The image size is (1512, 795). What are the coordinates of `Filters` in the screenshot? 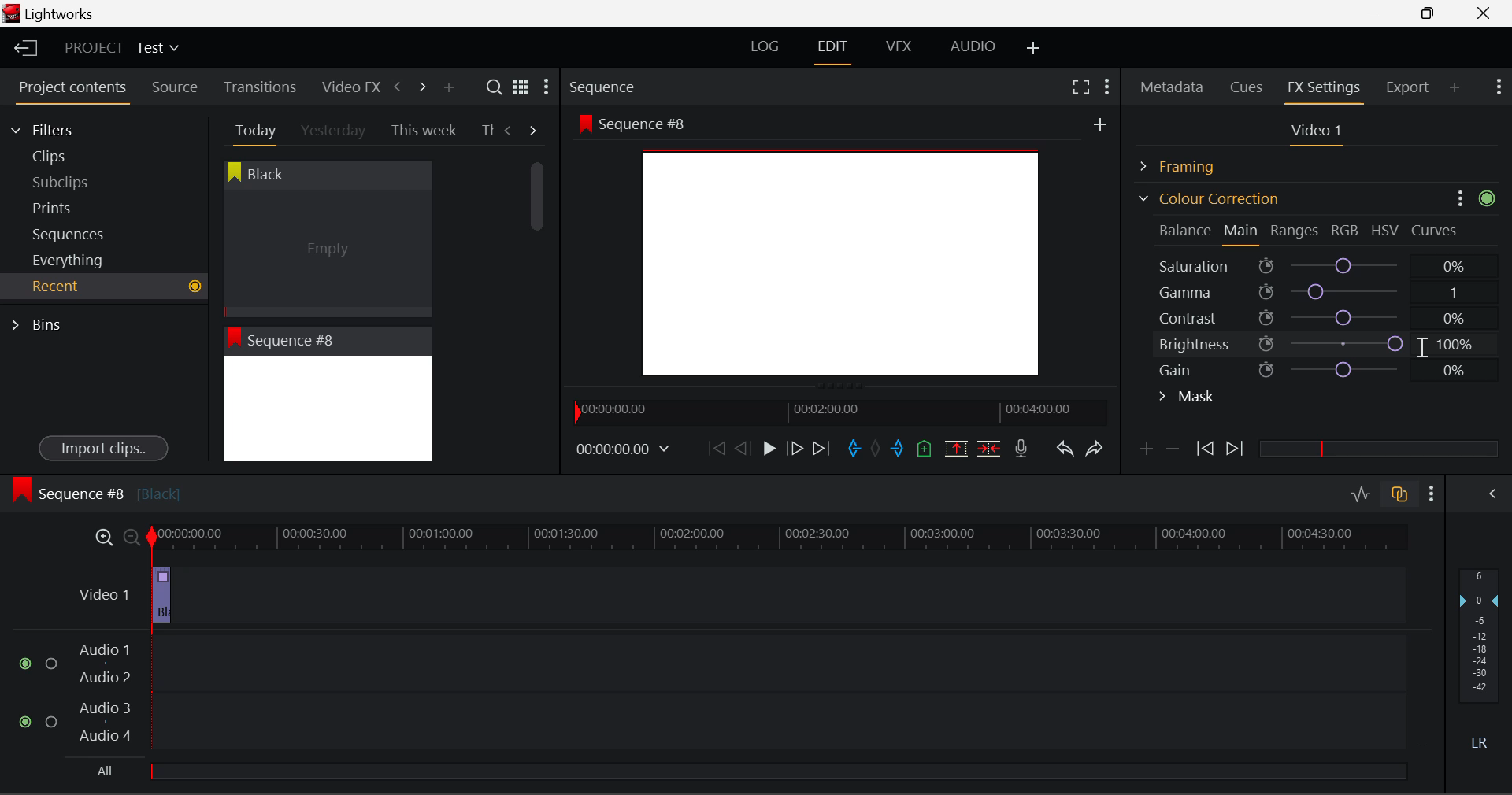 It's located at (57, 128).